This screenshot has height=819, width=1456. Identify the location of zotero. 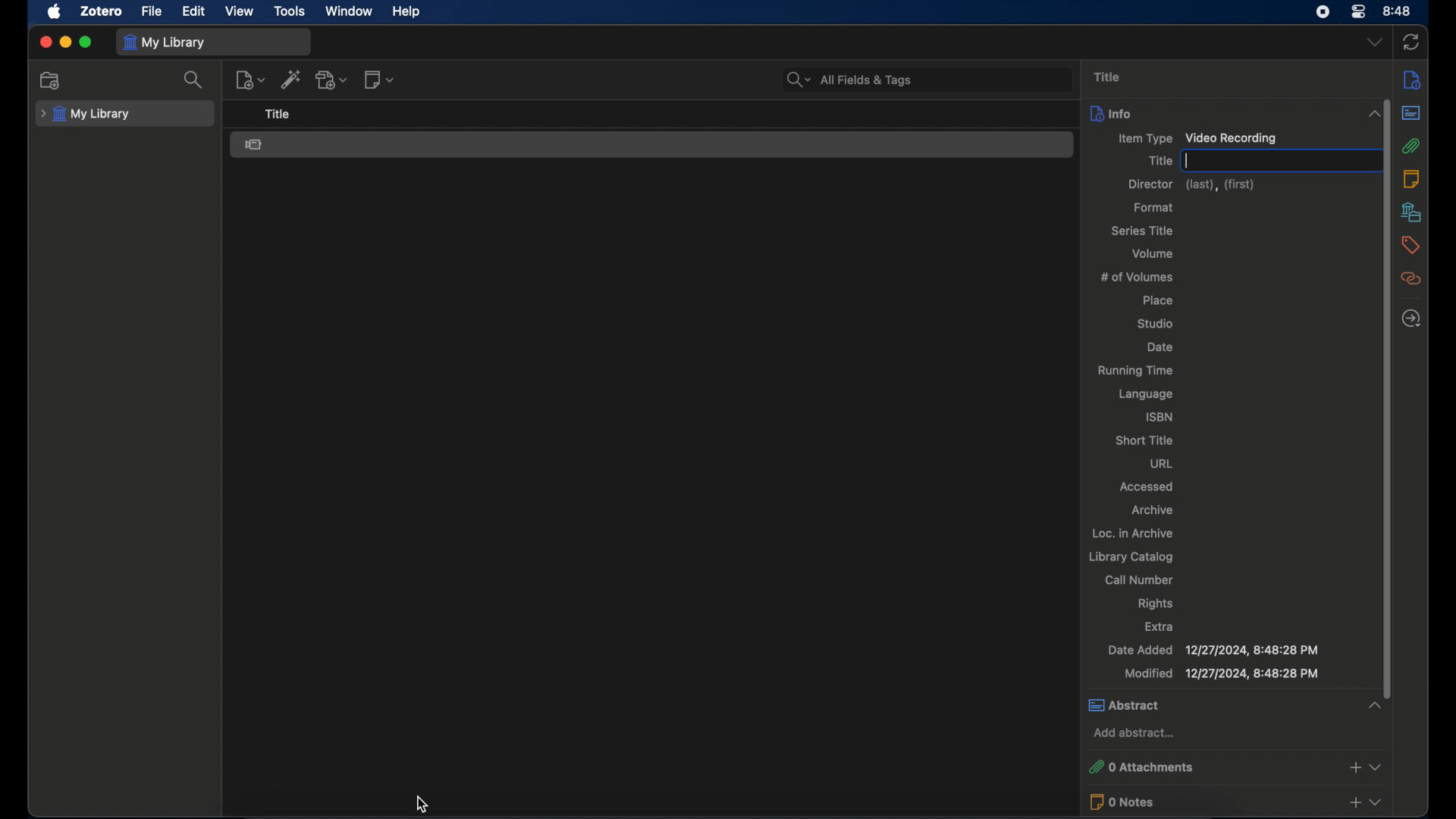
(100, 11).